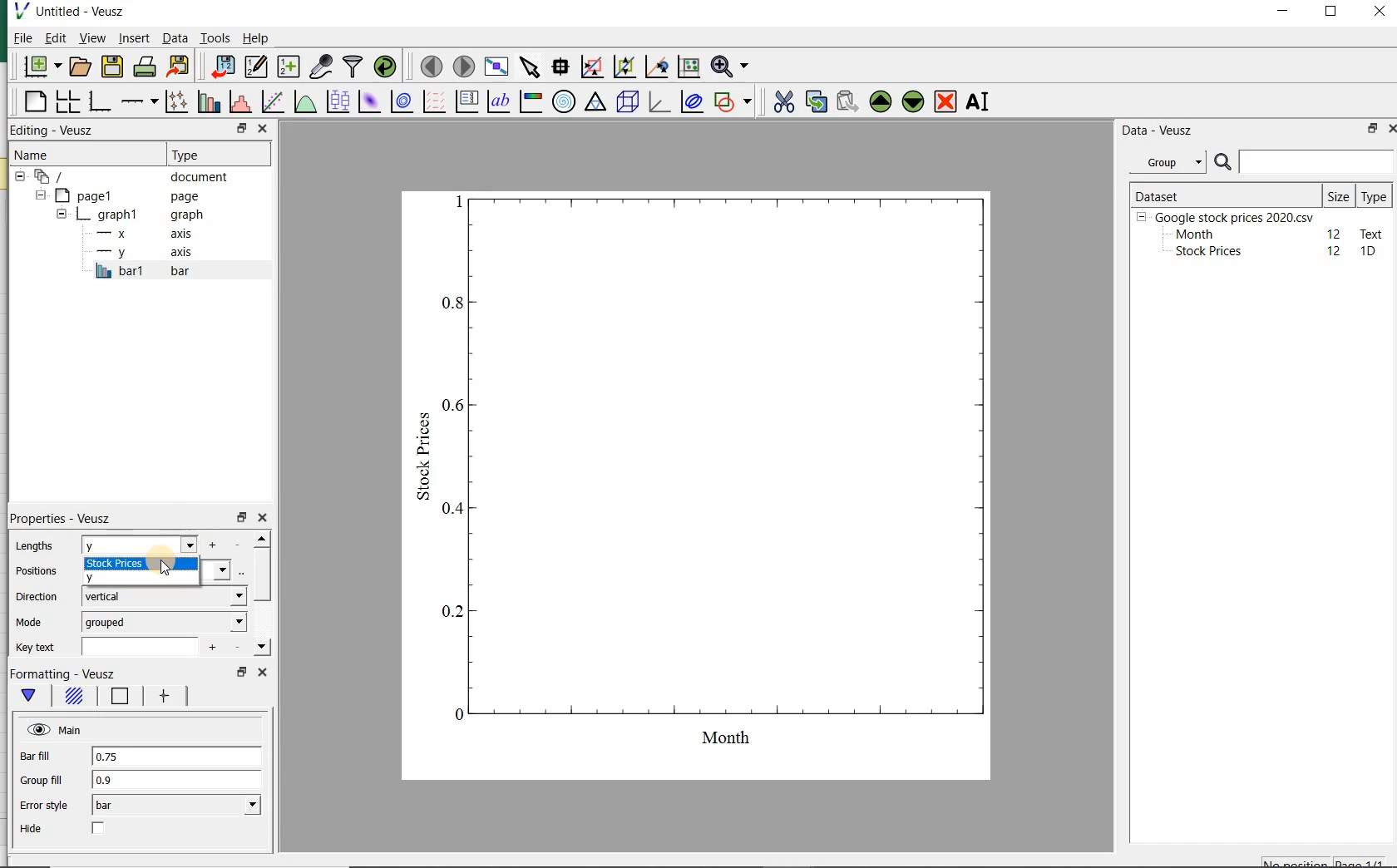 The height and width of the screenshot is (868, 1397). Describe the element at coordinates (138, 103) in the screenshot. I see `add an axis to the plot` at that location.